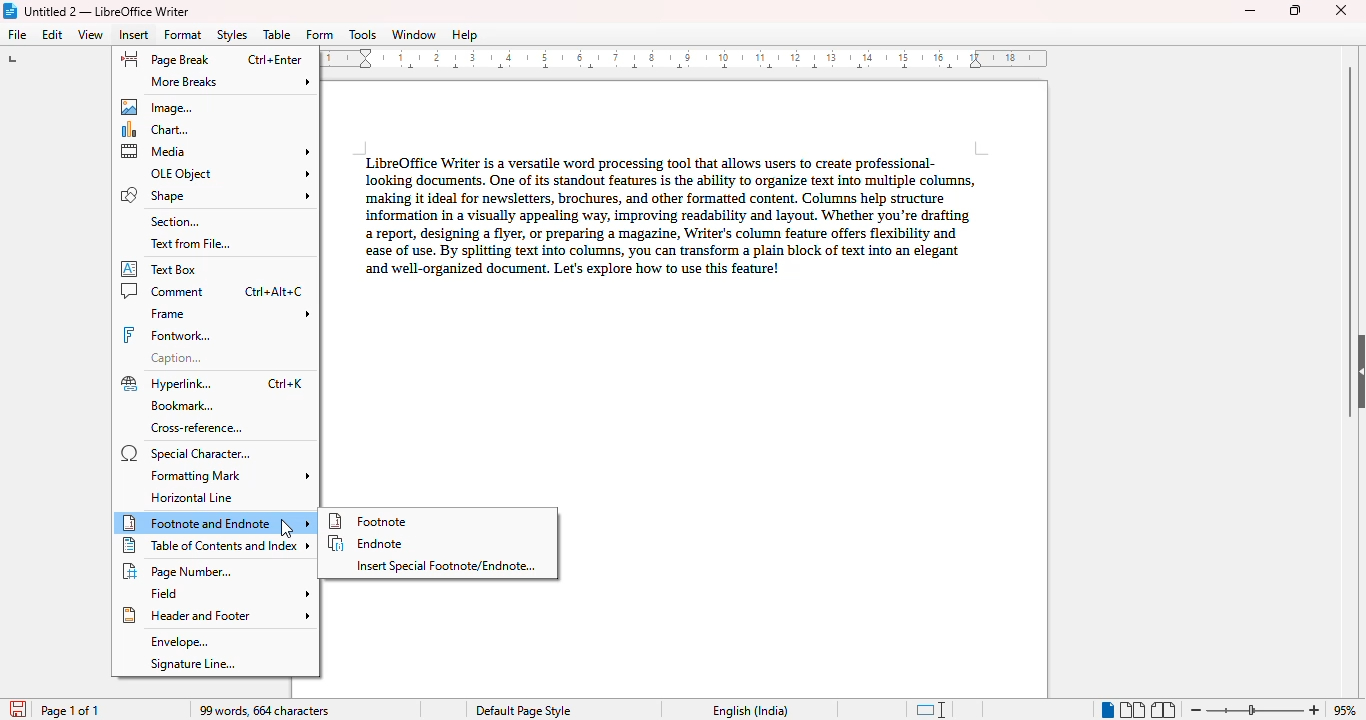  What do you see at coordinates (155, 107) in the screenshot?
I see `image` at bounding box center [155, 107].